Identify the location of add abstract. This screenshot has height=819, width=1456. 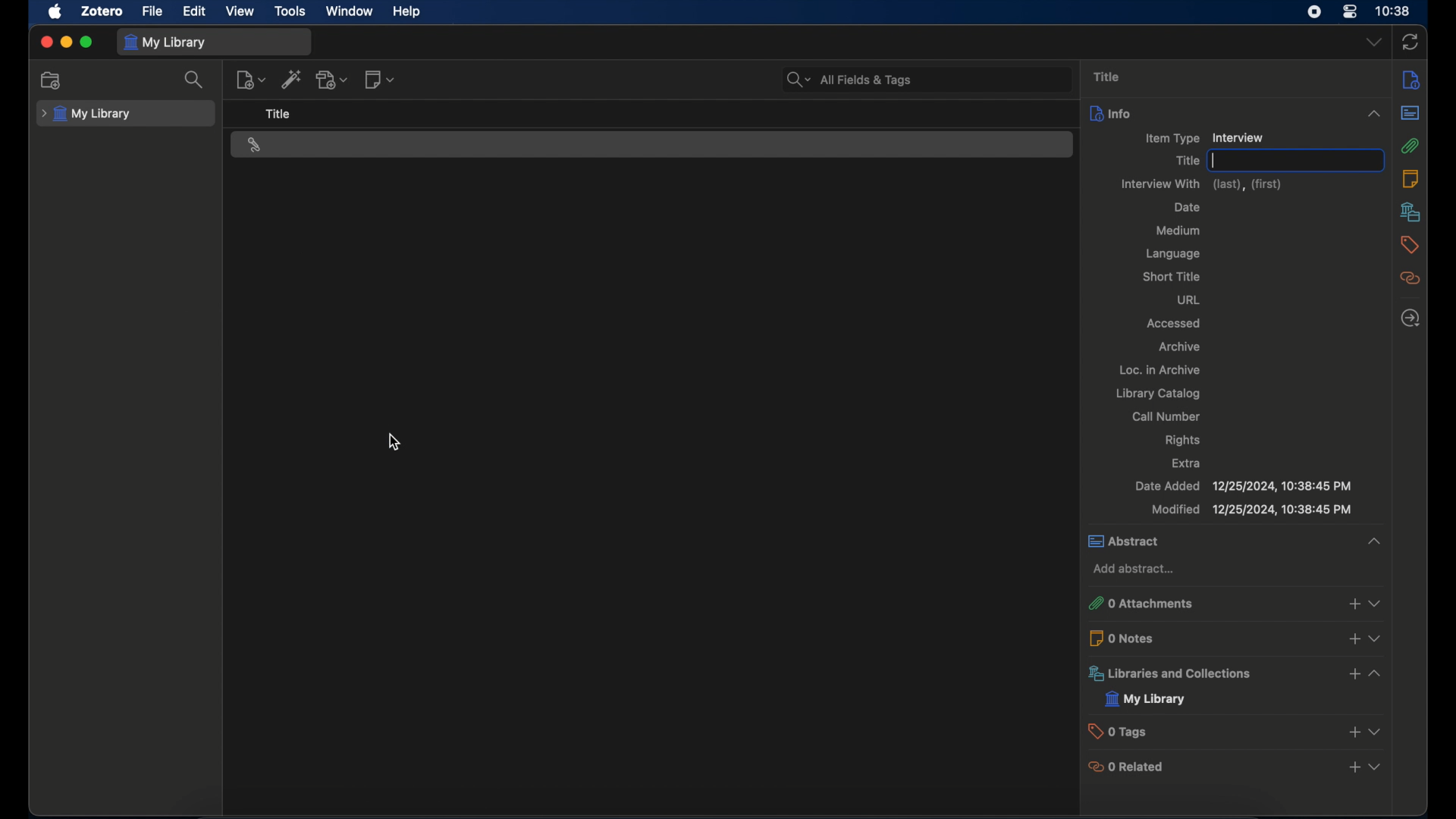
(1136, 569).